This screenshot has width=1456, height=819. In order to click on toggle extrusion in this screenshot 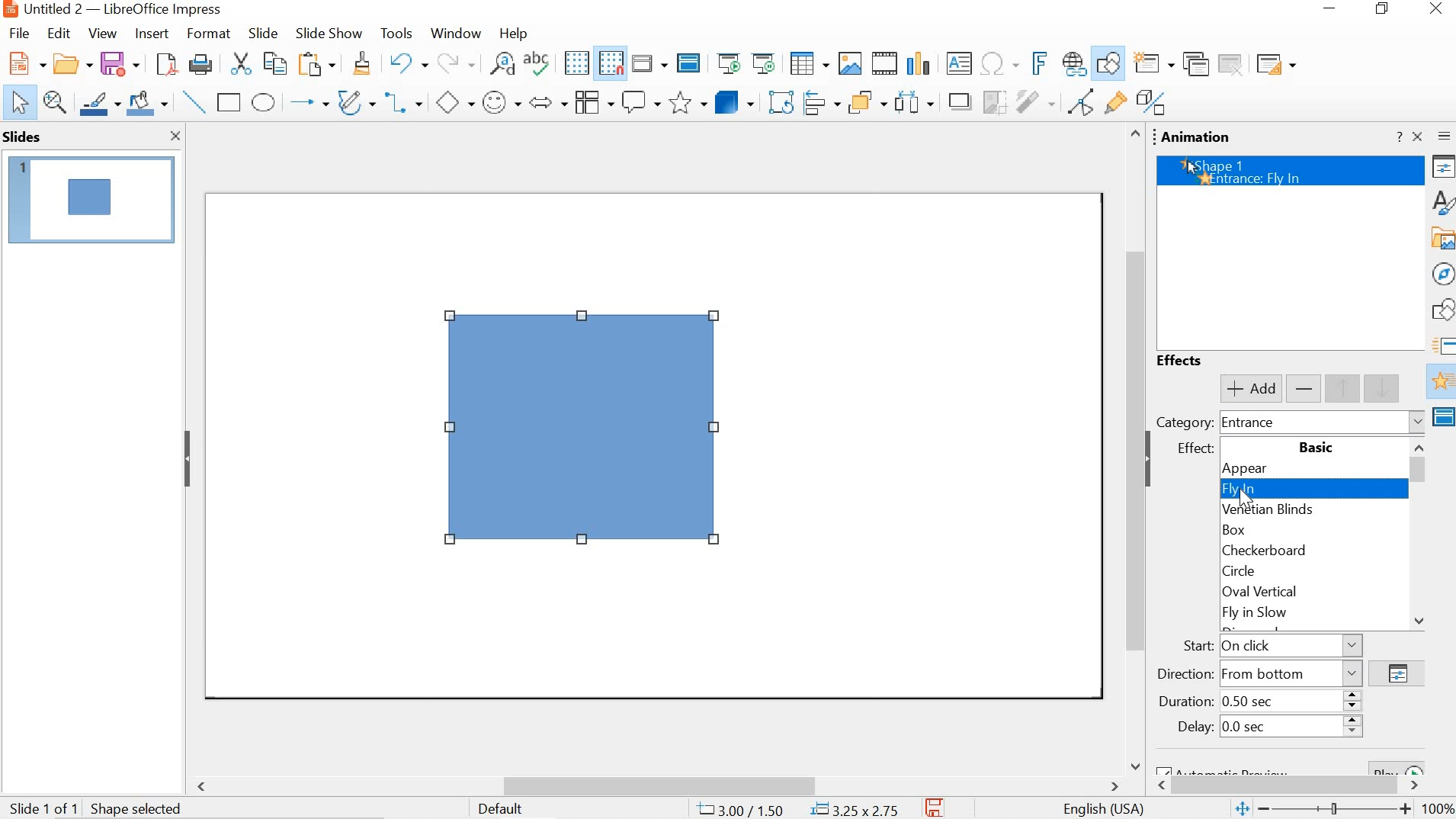, I will do `click(1153, 103)`.